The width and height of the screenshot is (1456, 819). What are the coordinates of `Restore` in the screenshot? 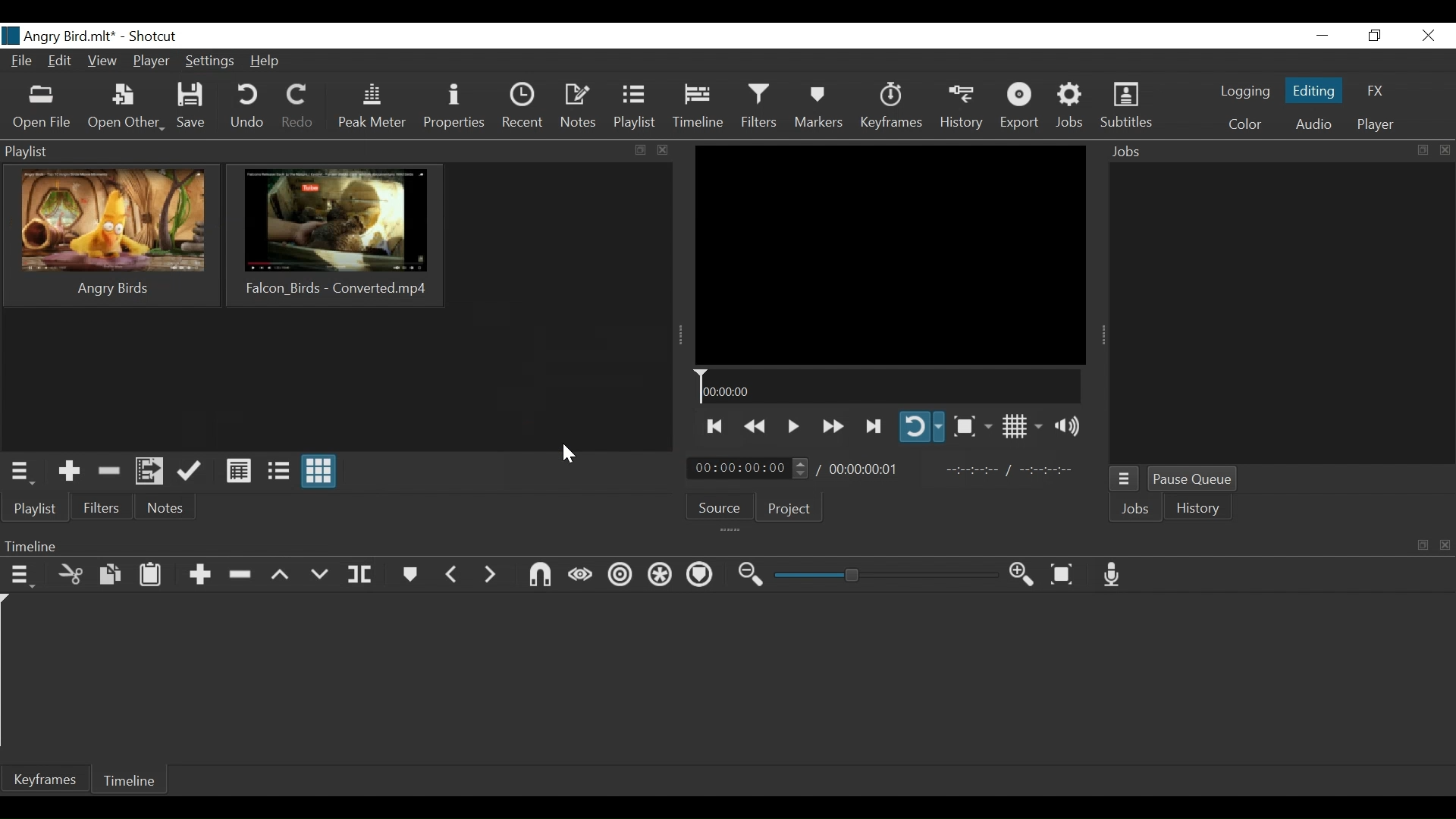 It's located at (1373, 36).